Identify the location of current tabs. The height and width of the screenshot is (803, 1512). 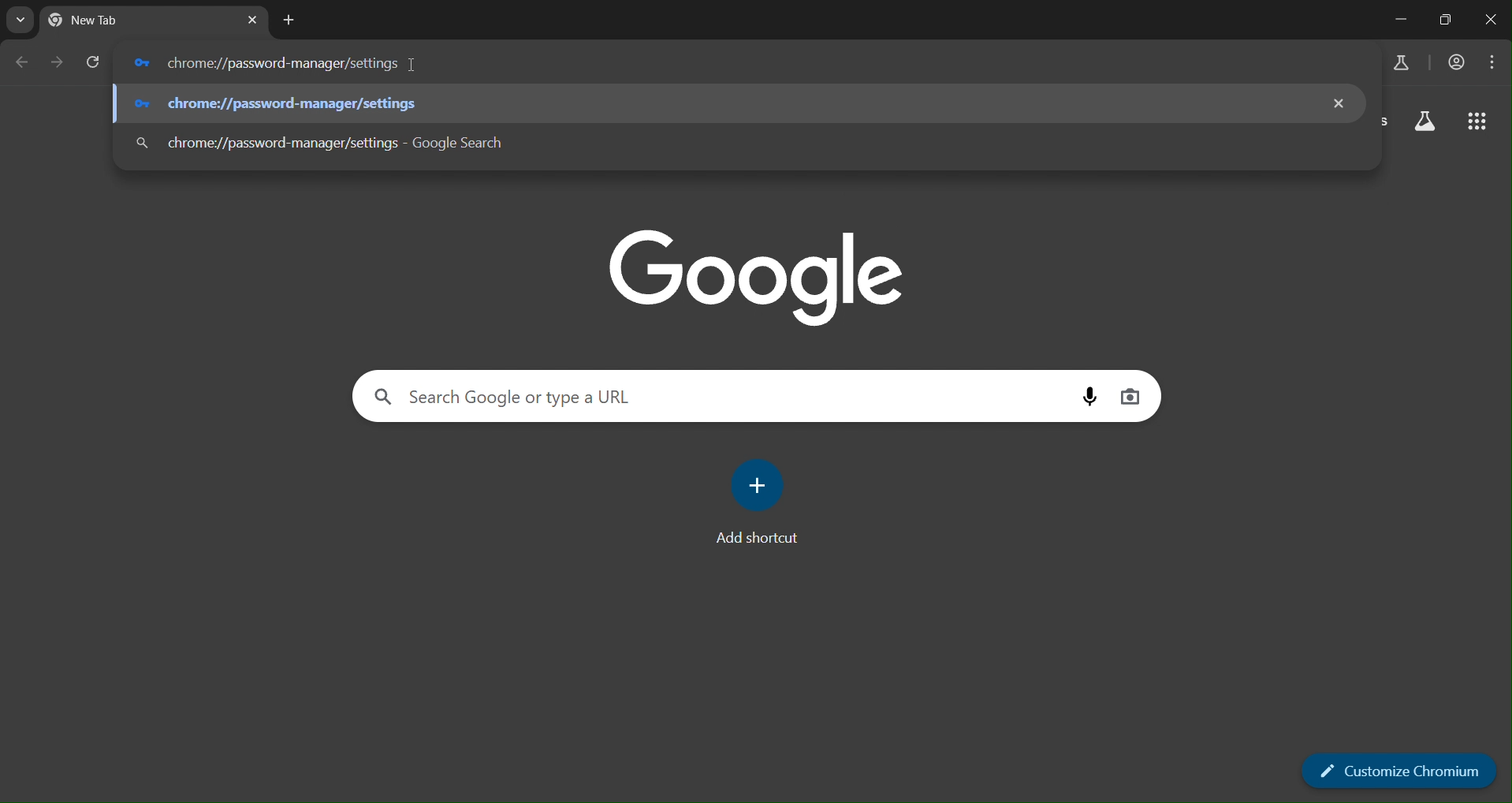
(120, 21).